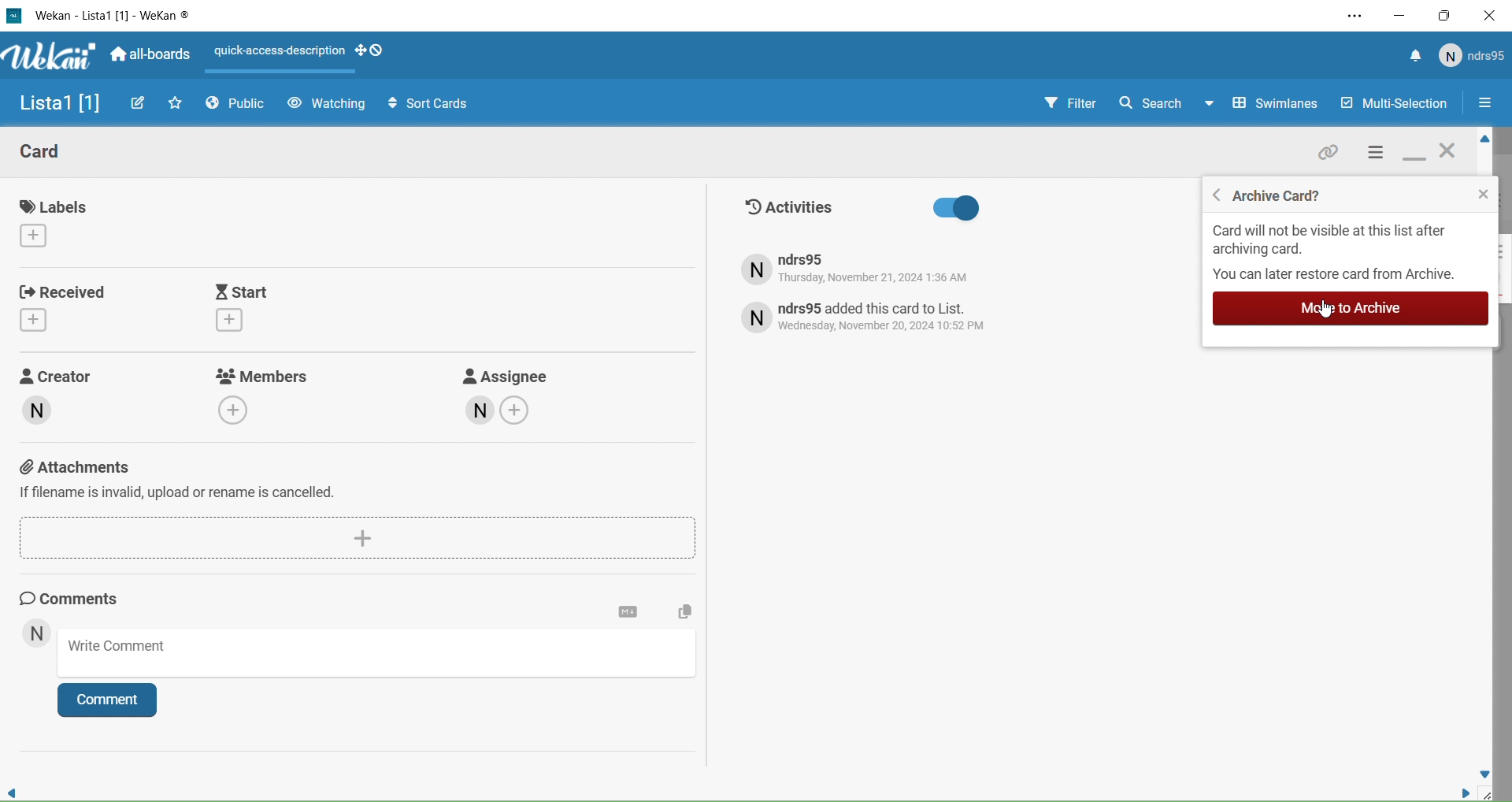  What do you see at coordinates (1291, 195) in the screenshot?
I see `Archived Card` at bounding box center [1291, 195].